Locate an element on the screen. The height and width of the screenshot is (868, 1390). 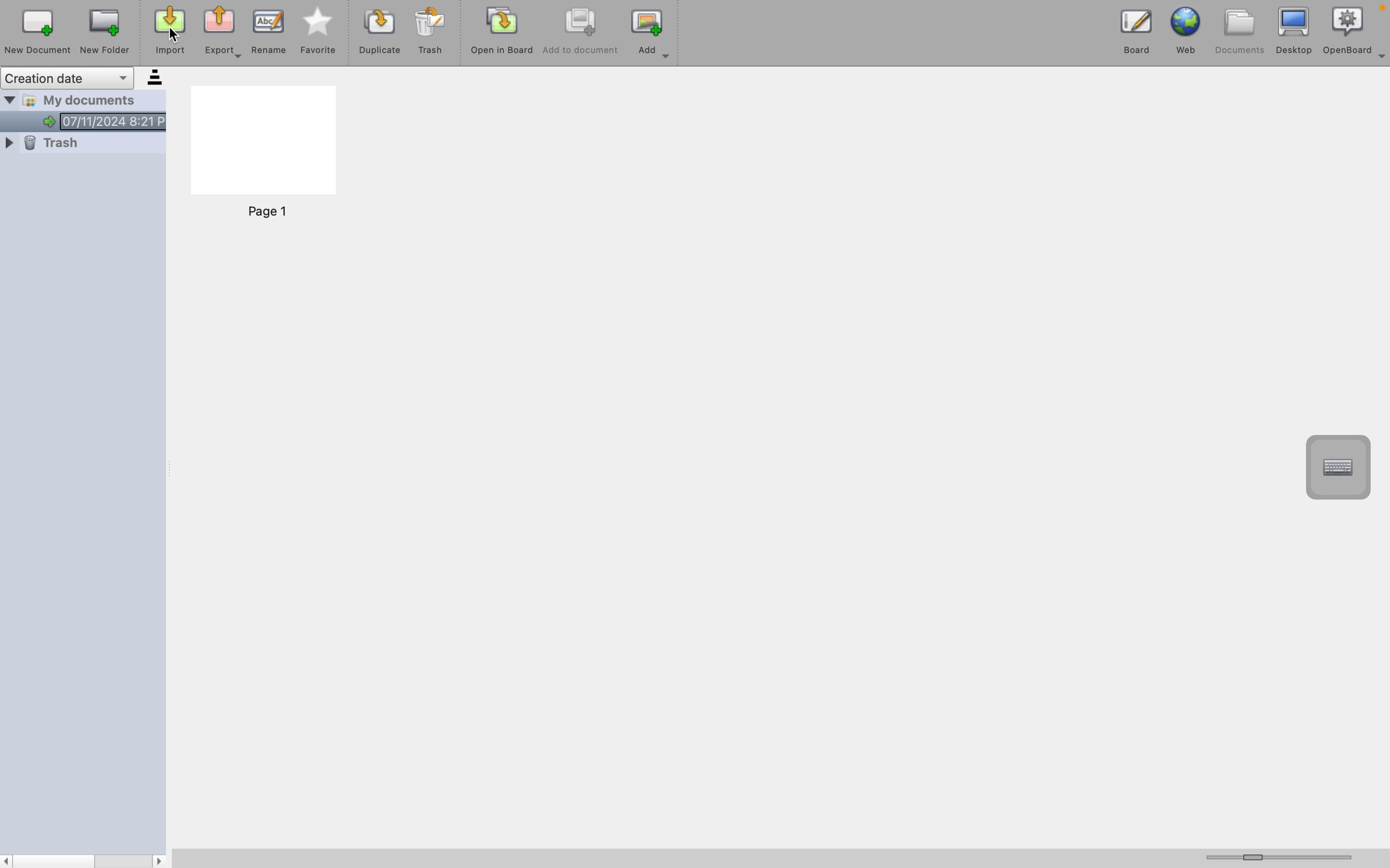
creation date is located at coordinates (84, 77).